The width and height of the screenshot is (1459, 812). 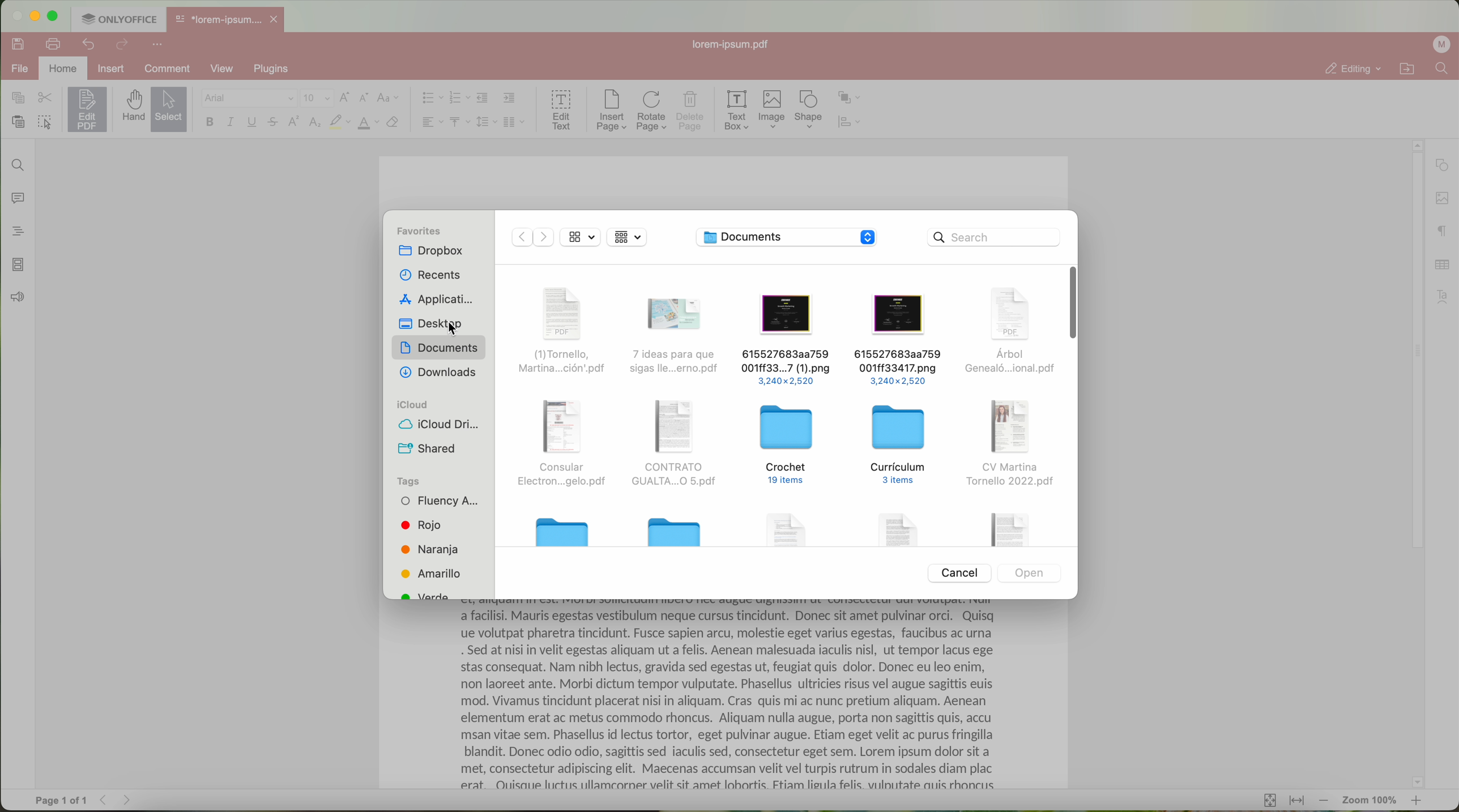 I want to click on dropbox, so click(x=431, y=251).